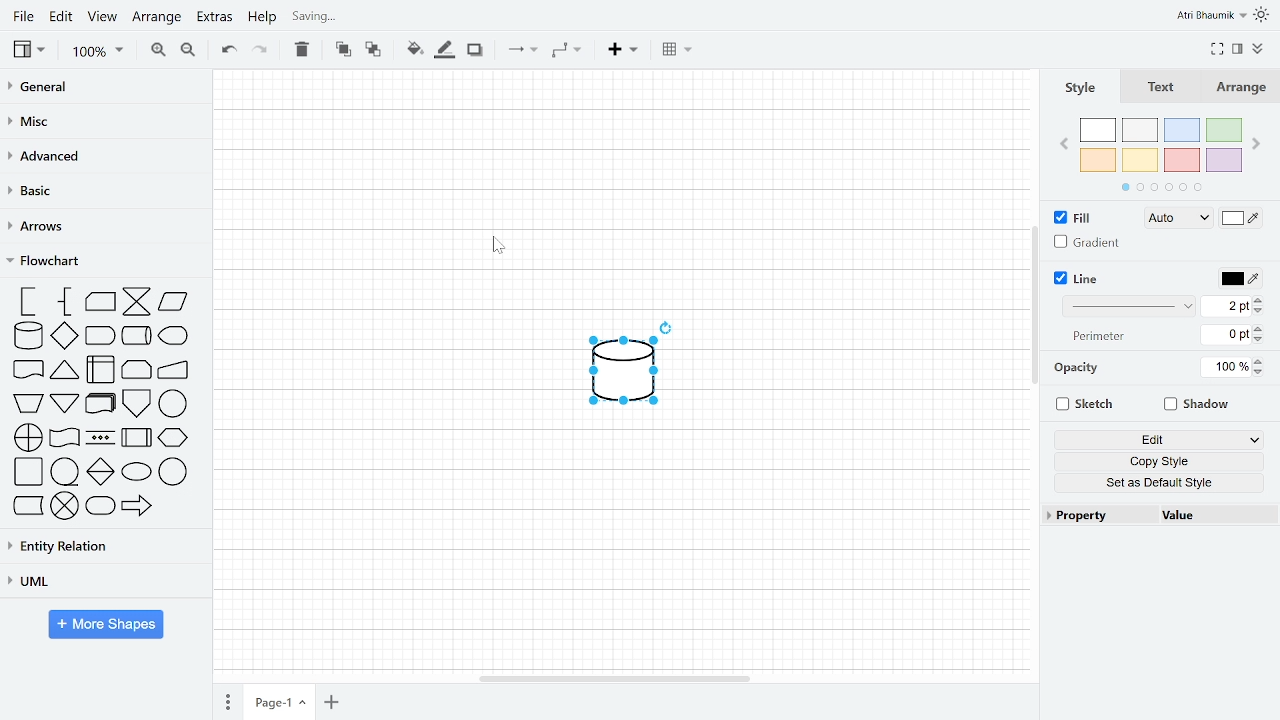 Image resolution: width=1280 pixels, height=720 pixels. Describe the element at coordinates (1097, 335) in the screenshot. I see `Perimeter` at that location.